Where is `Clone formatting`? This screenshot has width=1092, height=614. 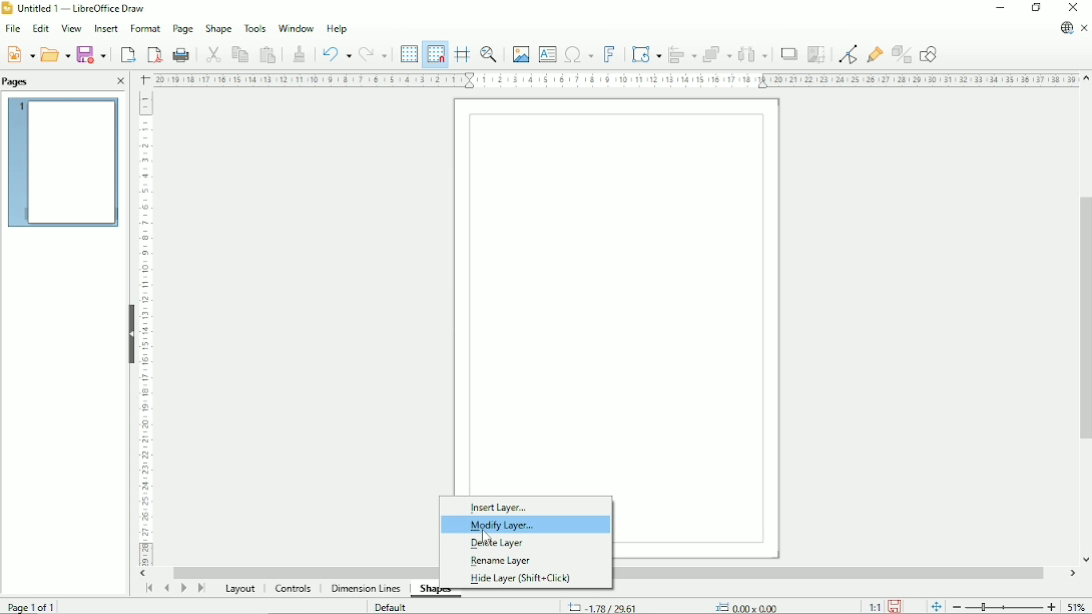 Clone formatting is located at coordinates (298, 52).